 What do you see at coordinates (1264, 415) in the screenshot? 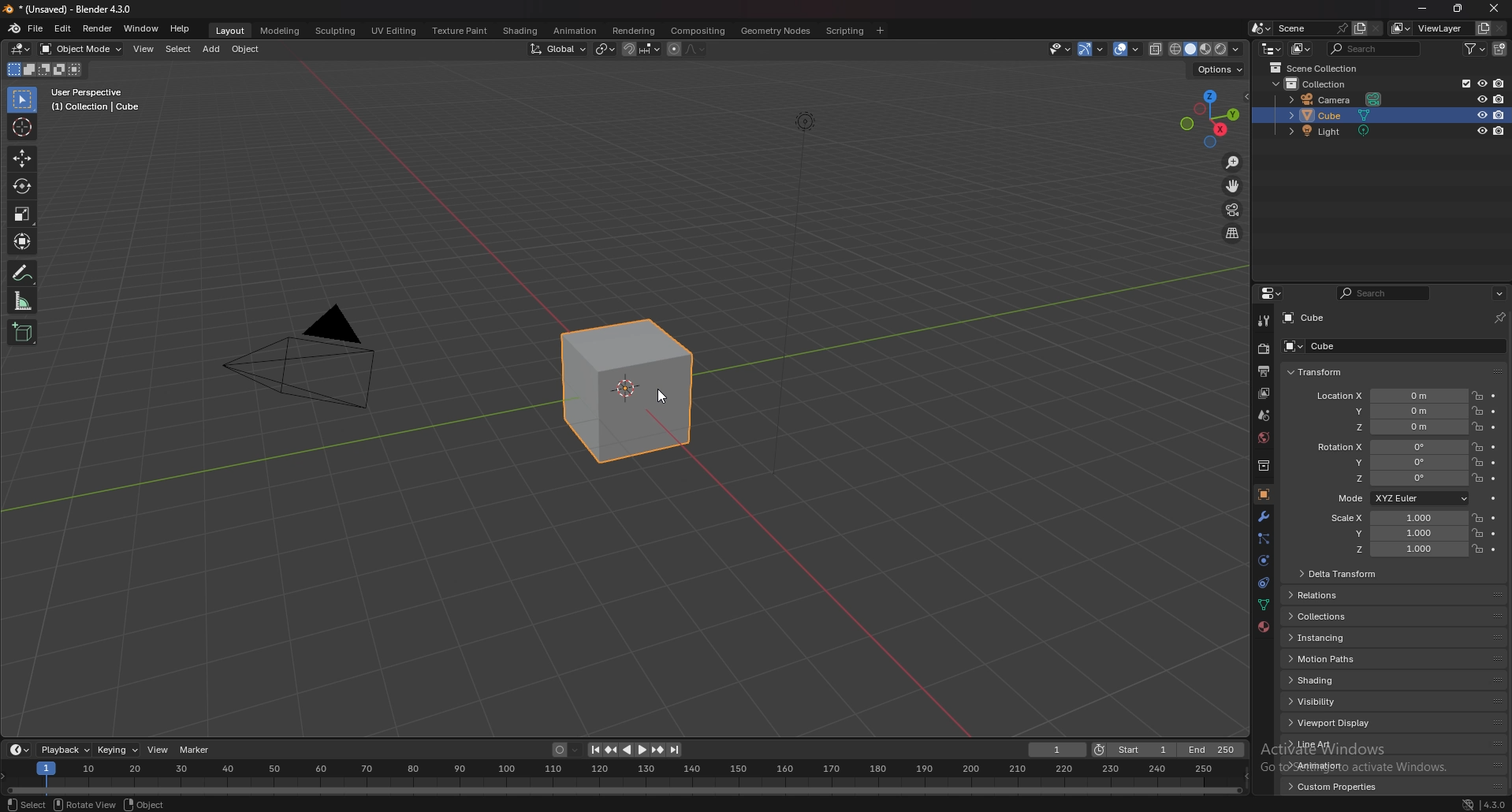
I see `scene` at bounding box center [1264, 415].